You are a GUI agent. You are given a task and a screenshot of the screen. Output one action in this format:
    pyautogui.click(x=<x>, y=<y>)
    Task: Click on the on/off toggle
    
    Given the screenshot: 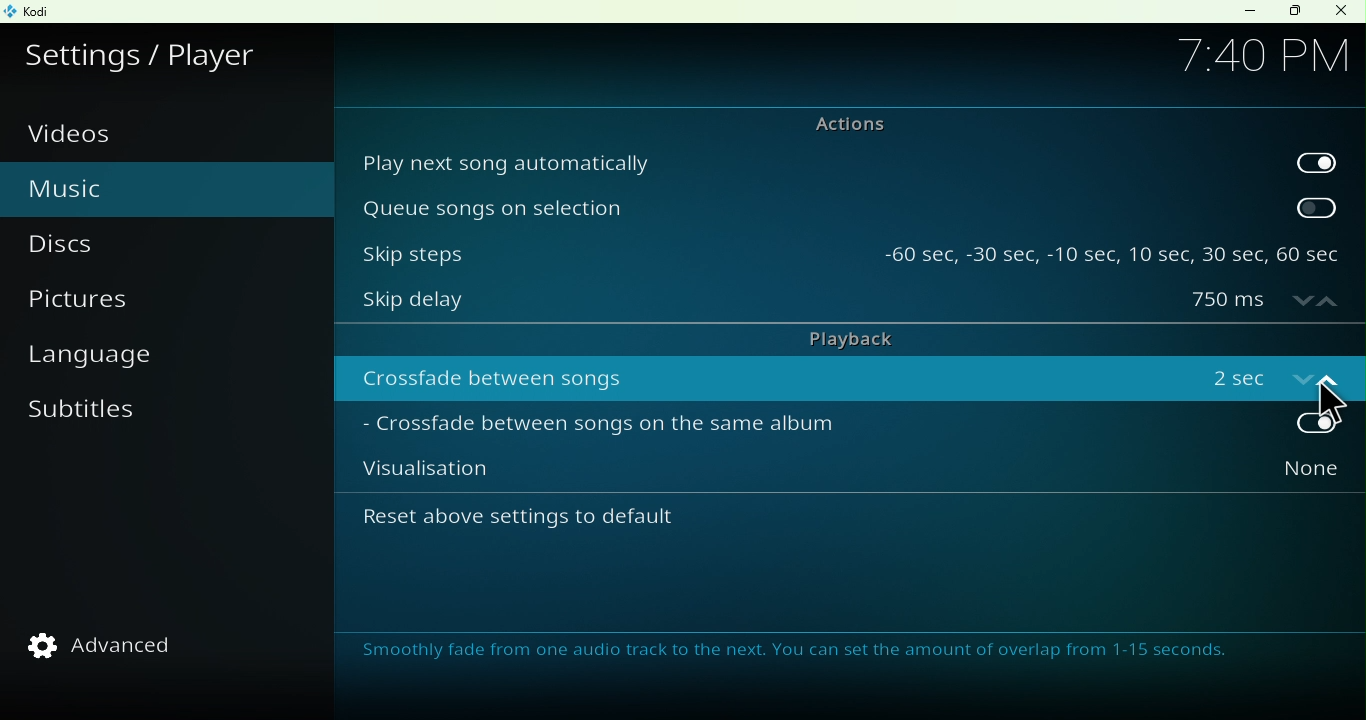 What is the action you would take?
    pyautogui.click(x=1269, y=375)
    